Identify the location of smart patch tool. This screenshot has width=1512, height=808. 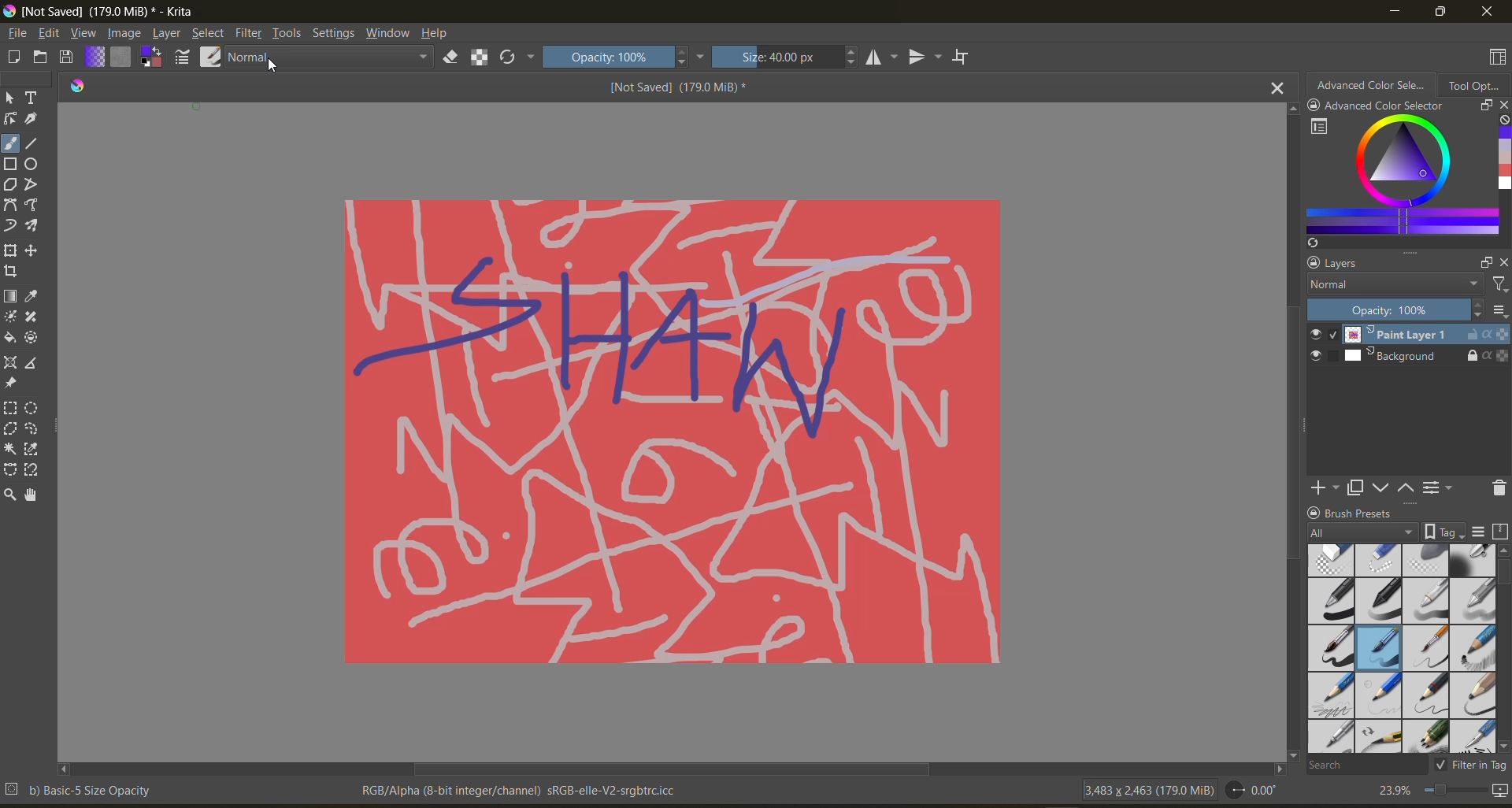
(32, 317).